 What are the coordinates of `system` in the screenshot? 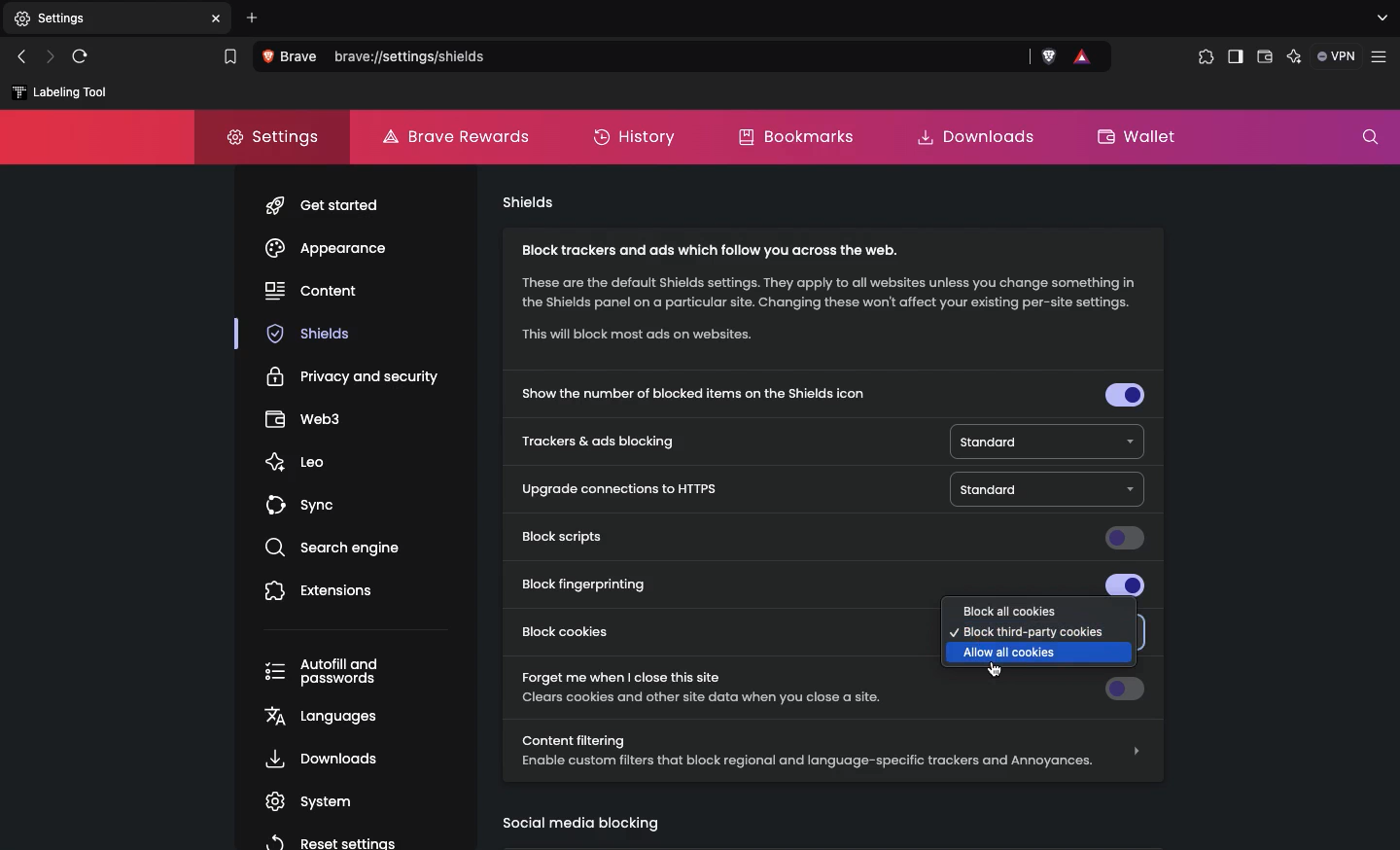 It's located at (315, 801).